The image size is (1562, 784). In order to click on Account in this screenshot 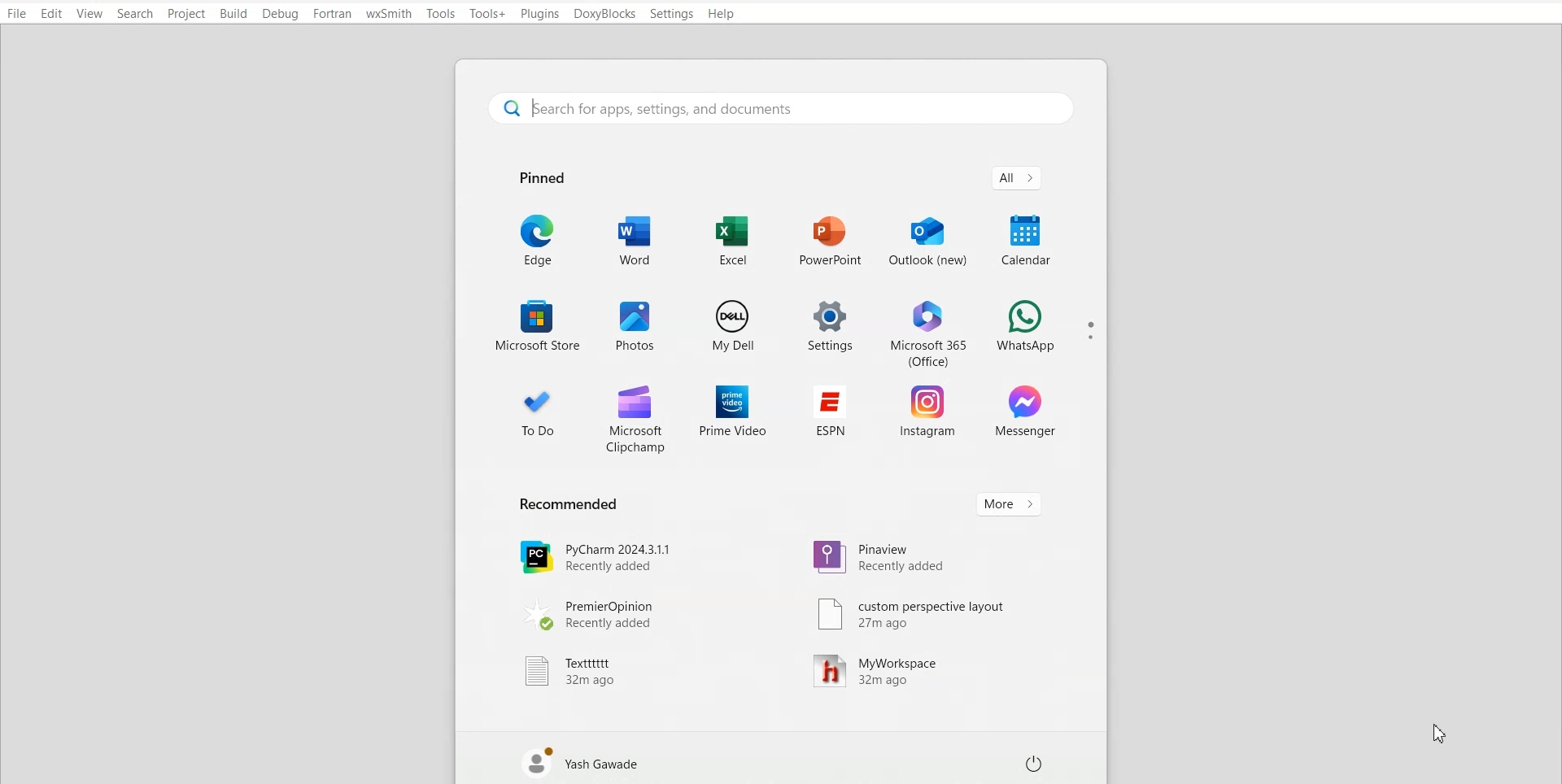, I will do `click(588, 762)`.